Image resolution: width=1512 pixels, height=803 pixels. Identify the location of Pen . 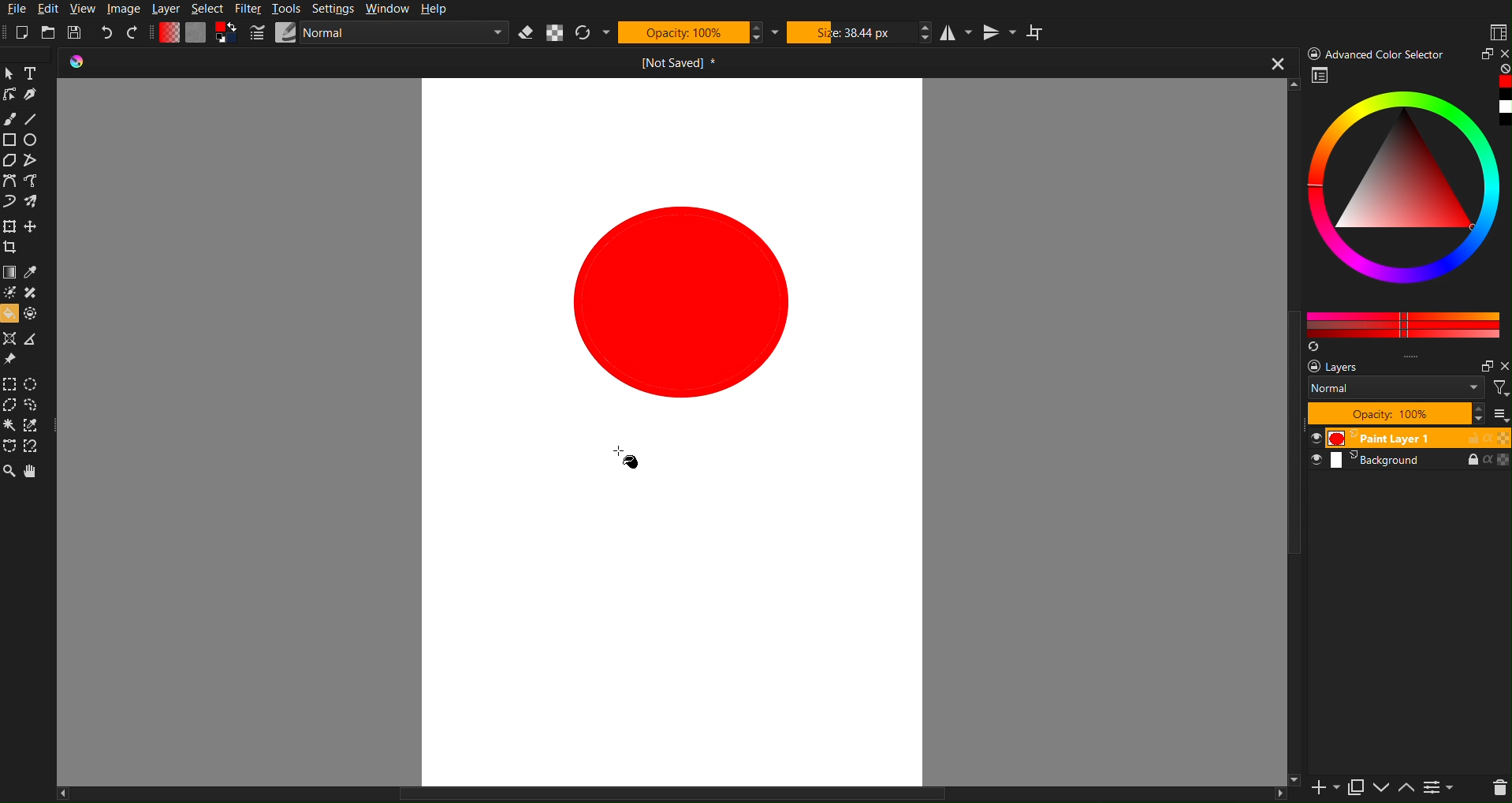
(35, 96).